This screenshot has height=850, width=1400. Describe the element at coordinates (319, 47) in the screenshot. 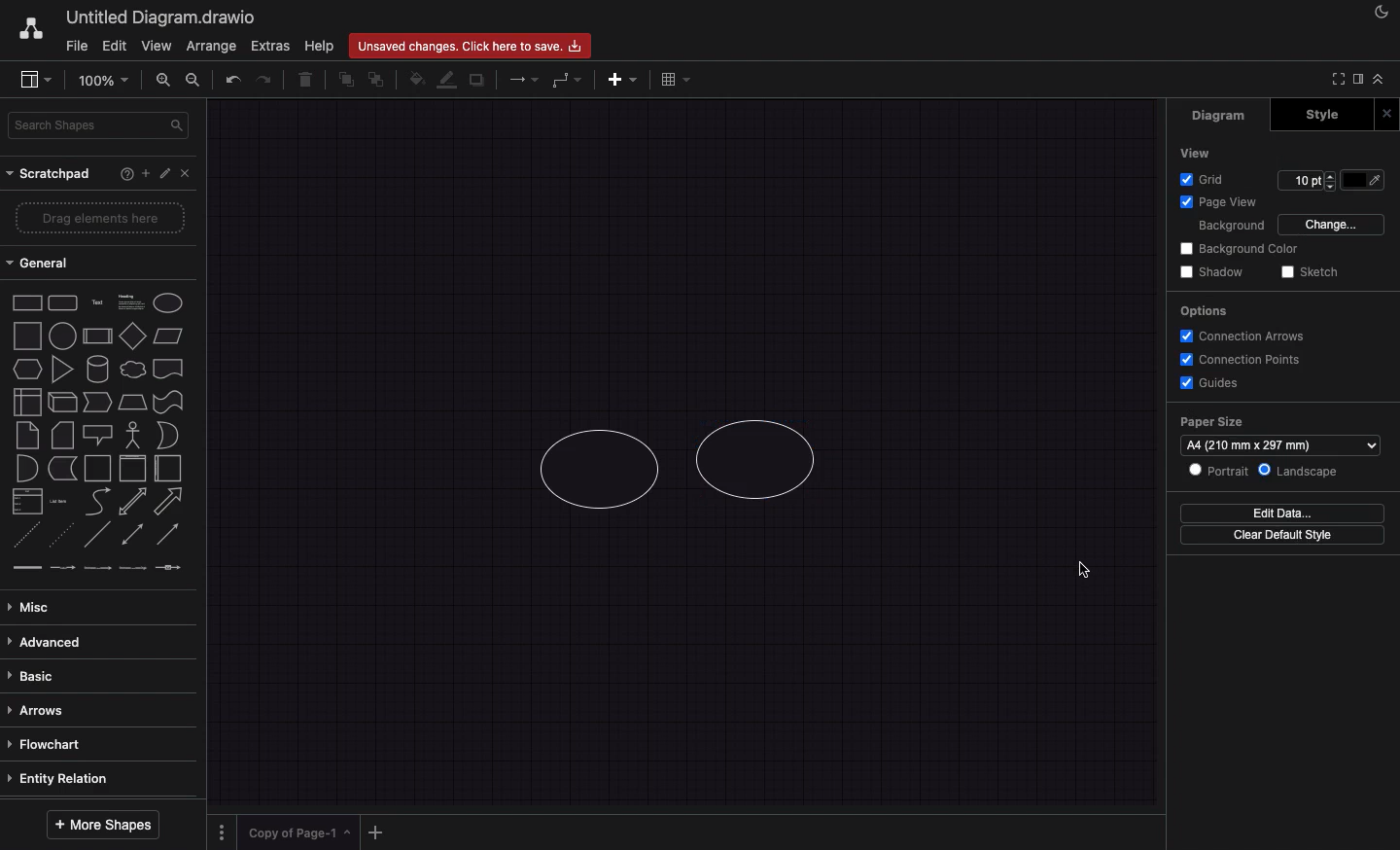

I see `help` at that location.